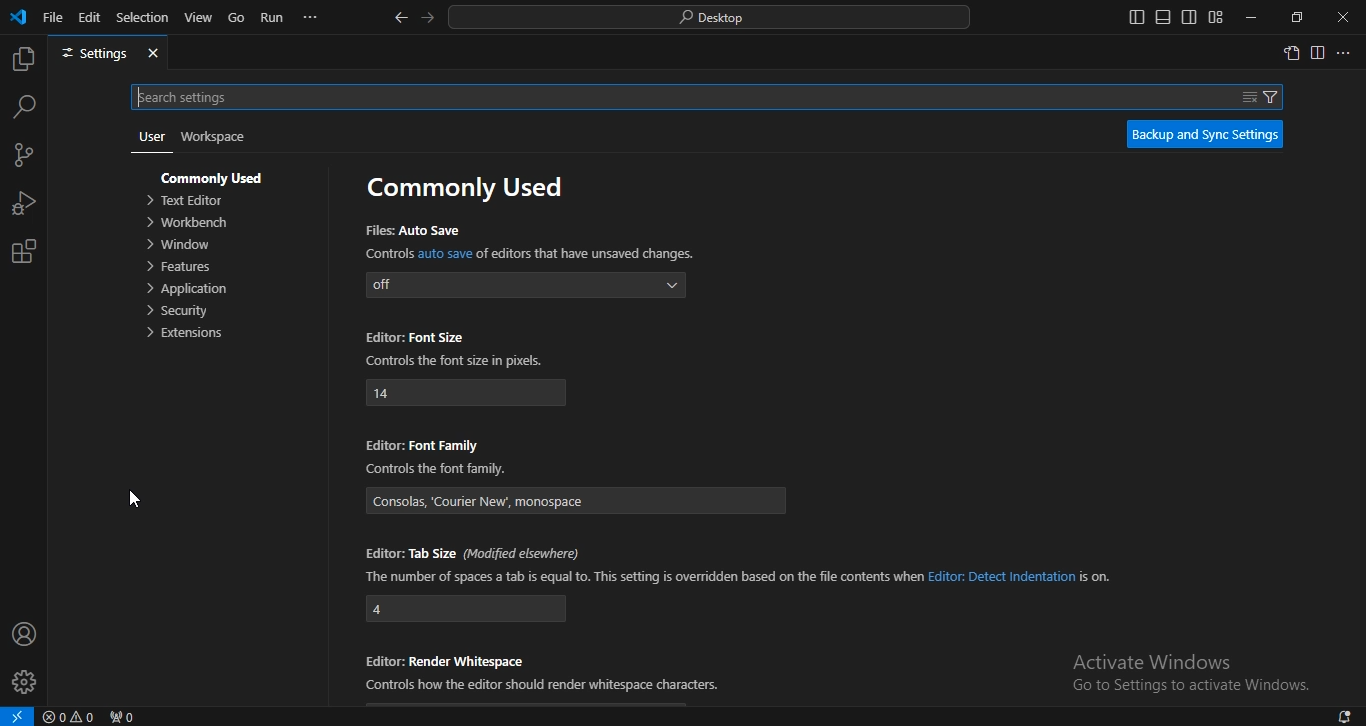 The width and height of the screenshot is (1366, 726). I want to click on features, so click(181, 268).